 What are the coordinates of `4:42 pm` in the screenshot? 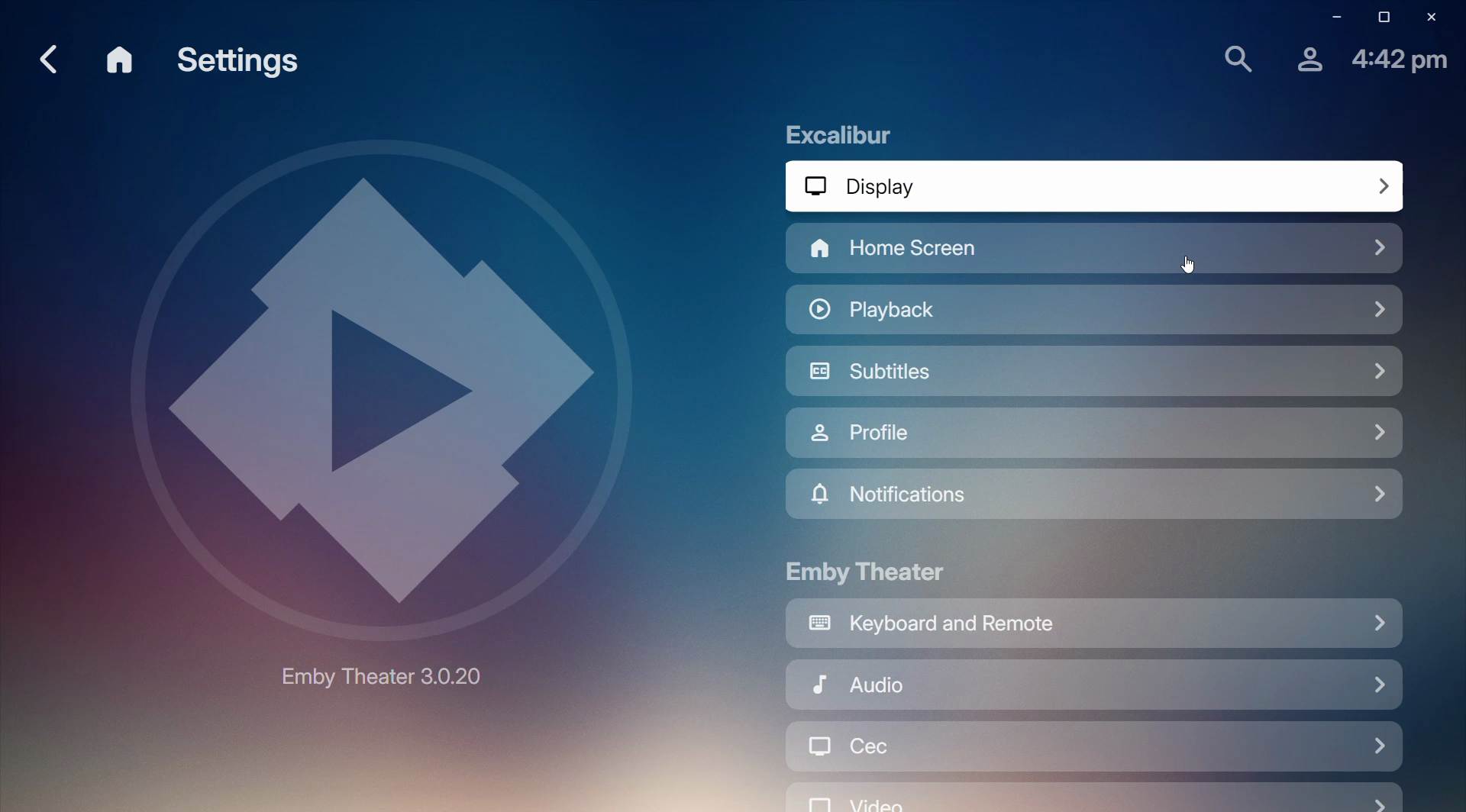 It's located at (1400, 64).